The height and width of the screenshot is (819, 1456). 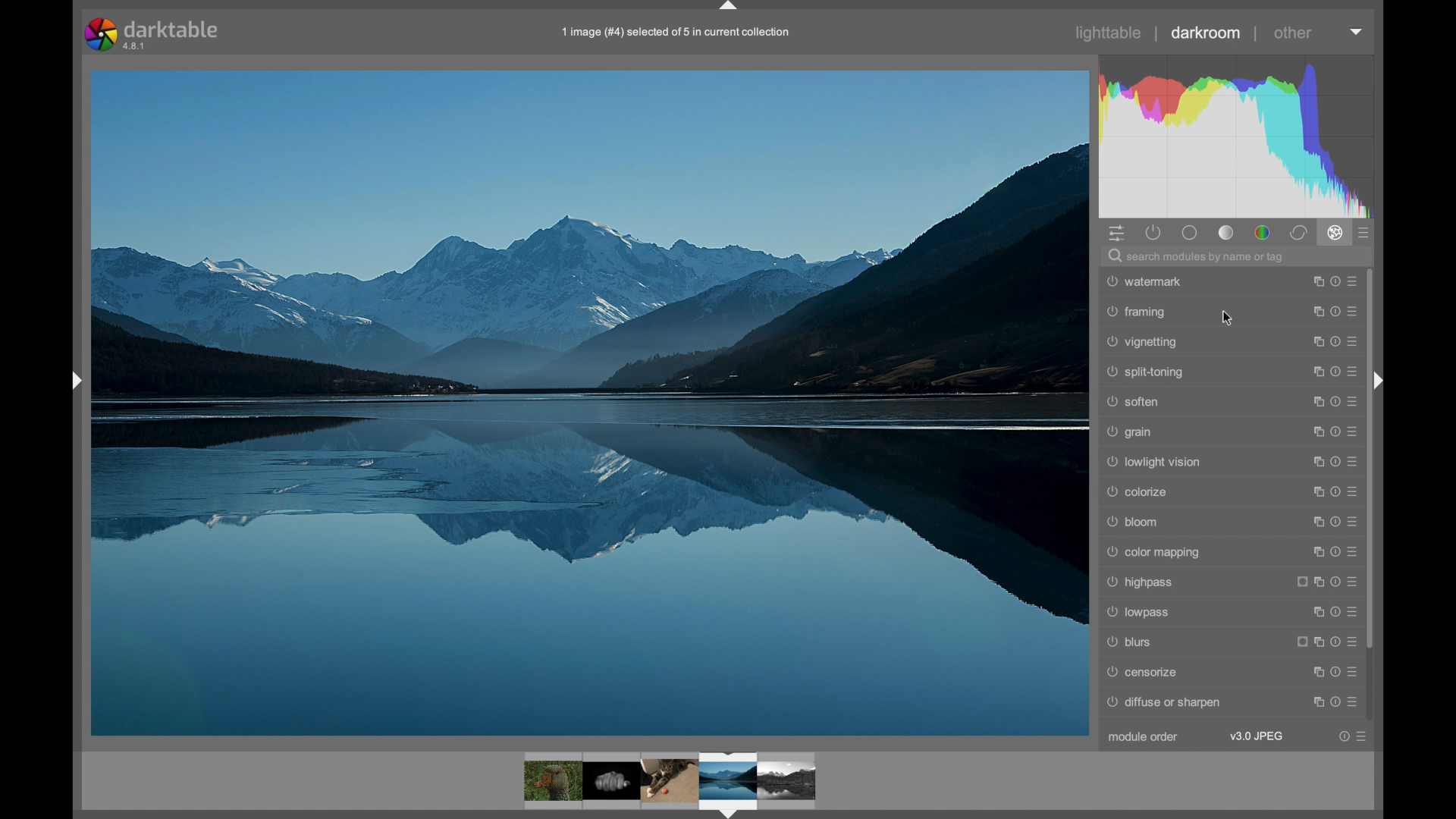 I want to click on framing, so click(x=1138, y=312).